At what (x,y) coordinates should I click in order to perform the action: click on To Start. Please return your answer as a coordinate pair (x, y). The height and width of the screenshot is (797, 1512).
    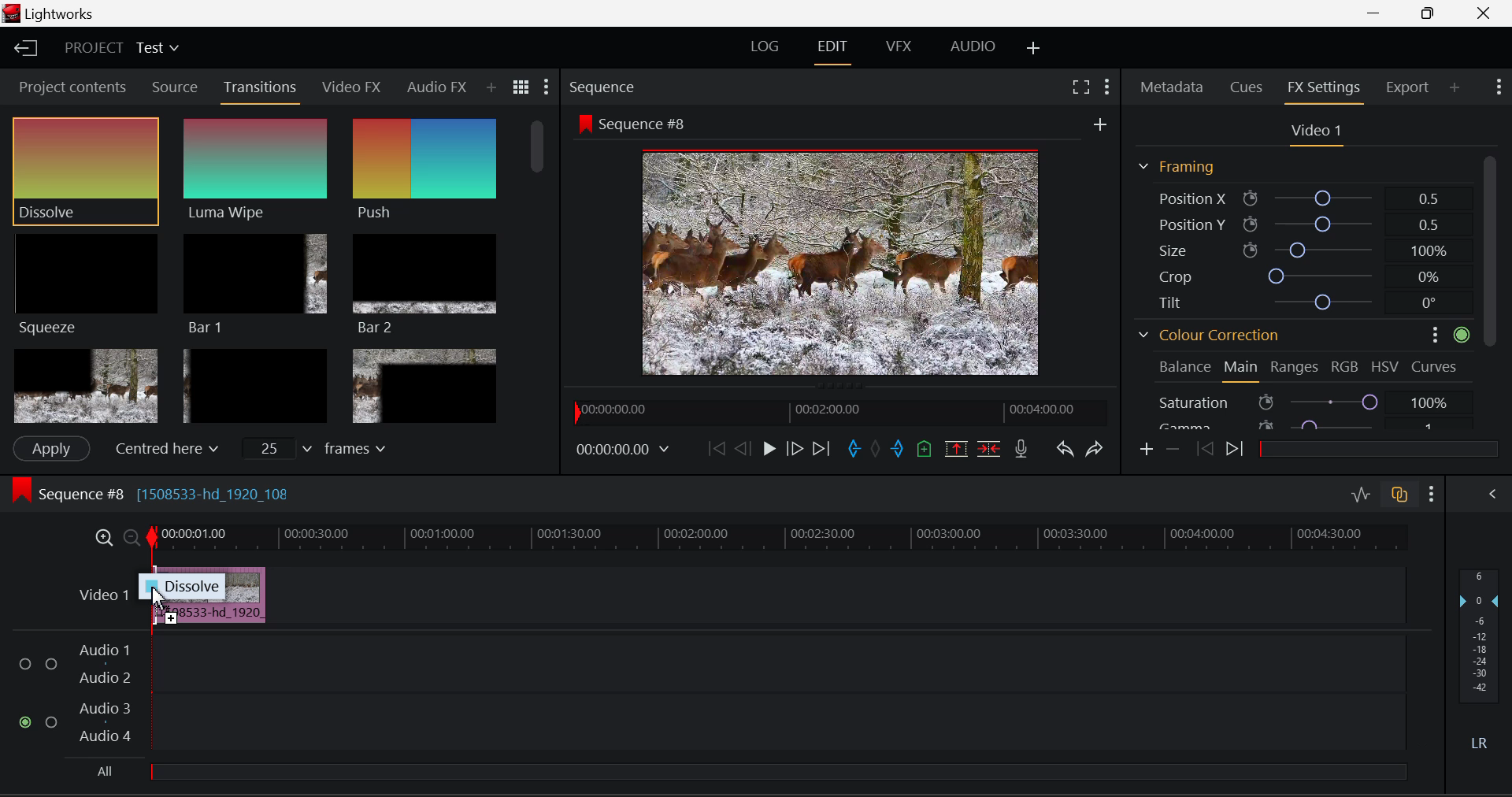
    Looking at the image, I should click on (715, 451).